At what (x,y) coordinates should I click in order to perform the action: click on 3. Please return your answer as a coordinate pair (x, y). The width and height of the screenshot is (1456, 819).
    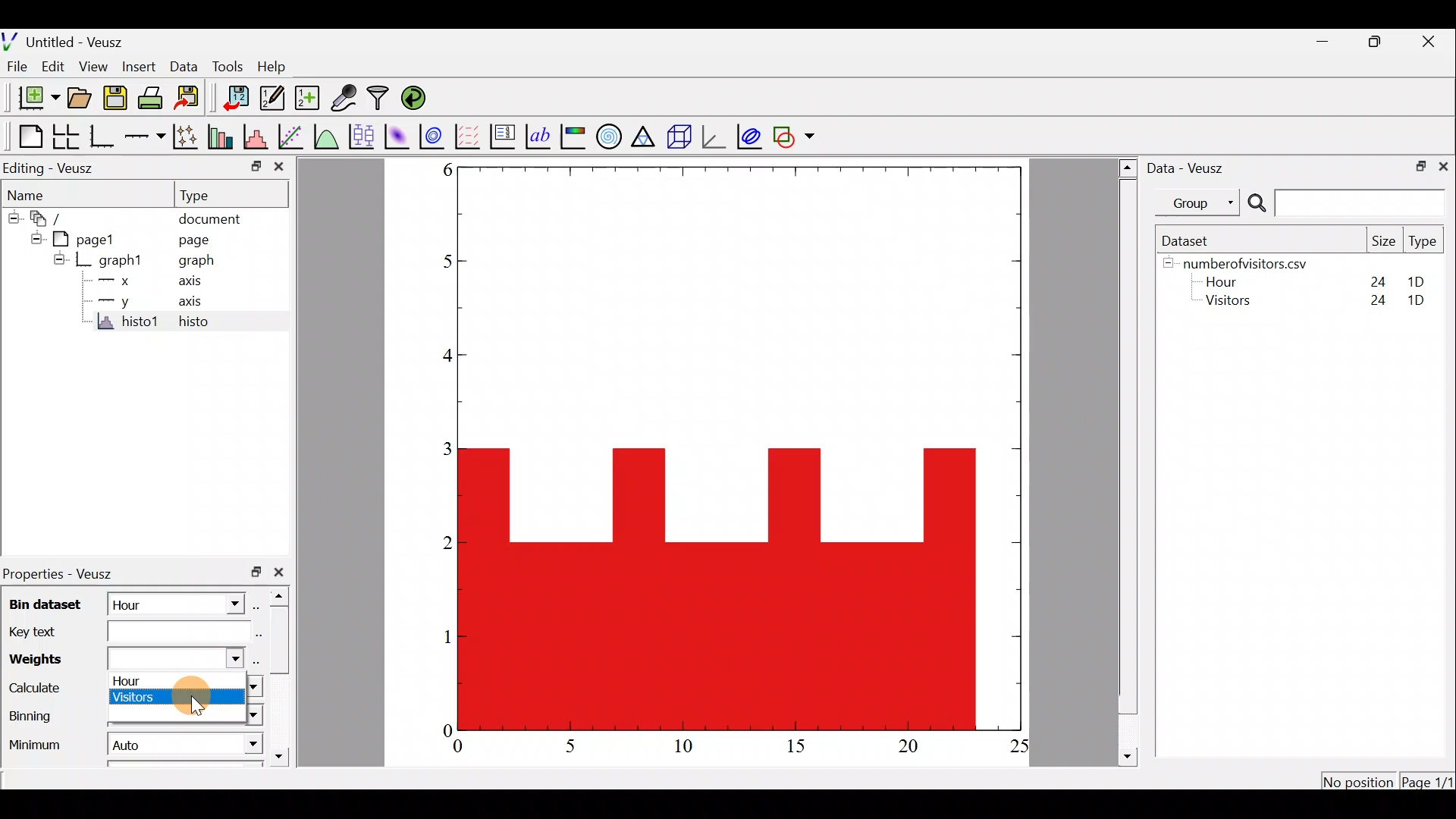
    Looking at the image, I should click on (441, 447).